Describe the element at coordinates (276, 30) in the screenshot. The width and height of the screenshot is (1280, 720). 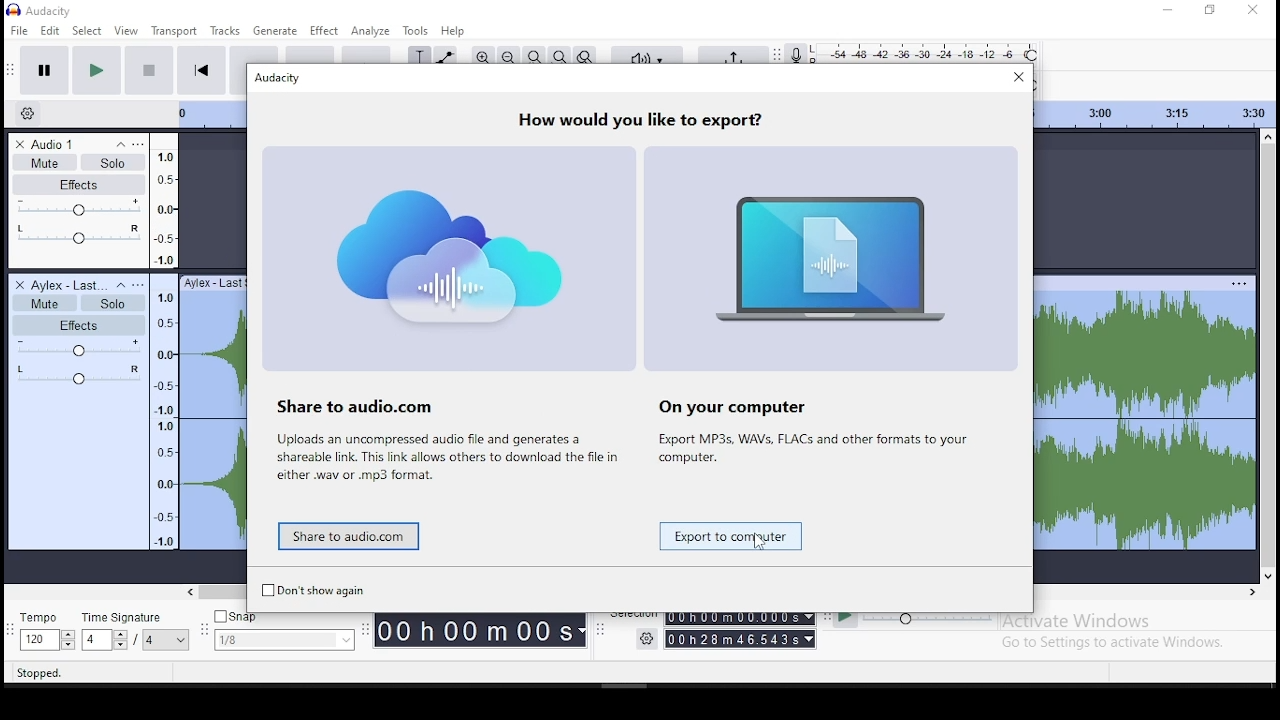
I see `generate` at that location.